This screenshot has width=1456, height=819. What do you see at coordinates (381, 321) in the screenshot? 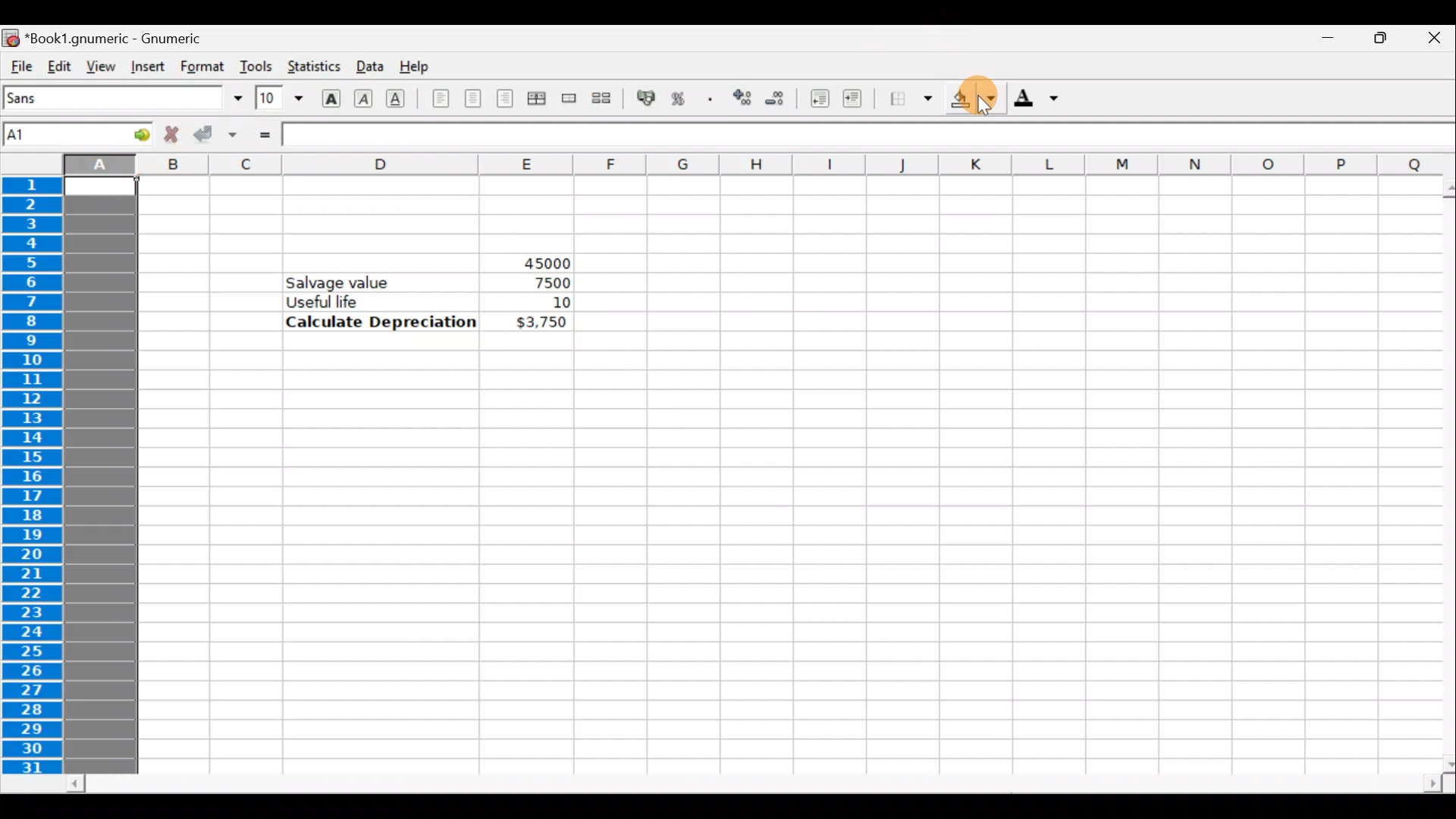
I see `Calculate Depreciation` at bounding box center [381, 321].